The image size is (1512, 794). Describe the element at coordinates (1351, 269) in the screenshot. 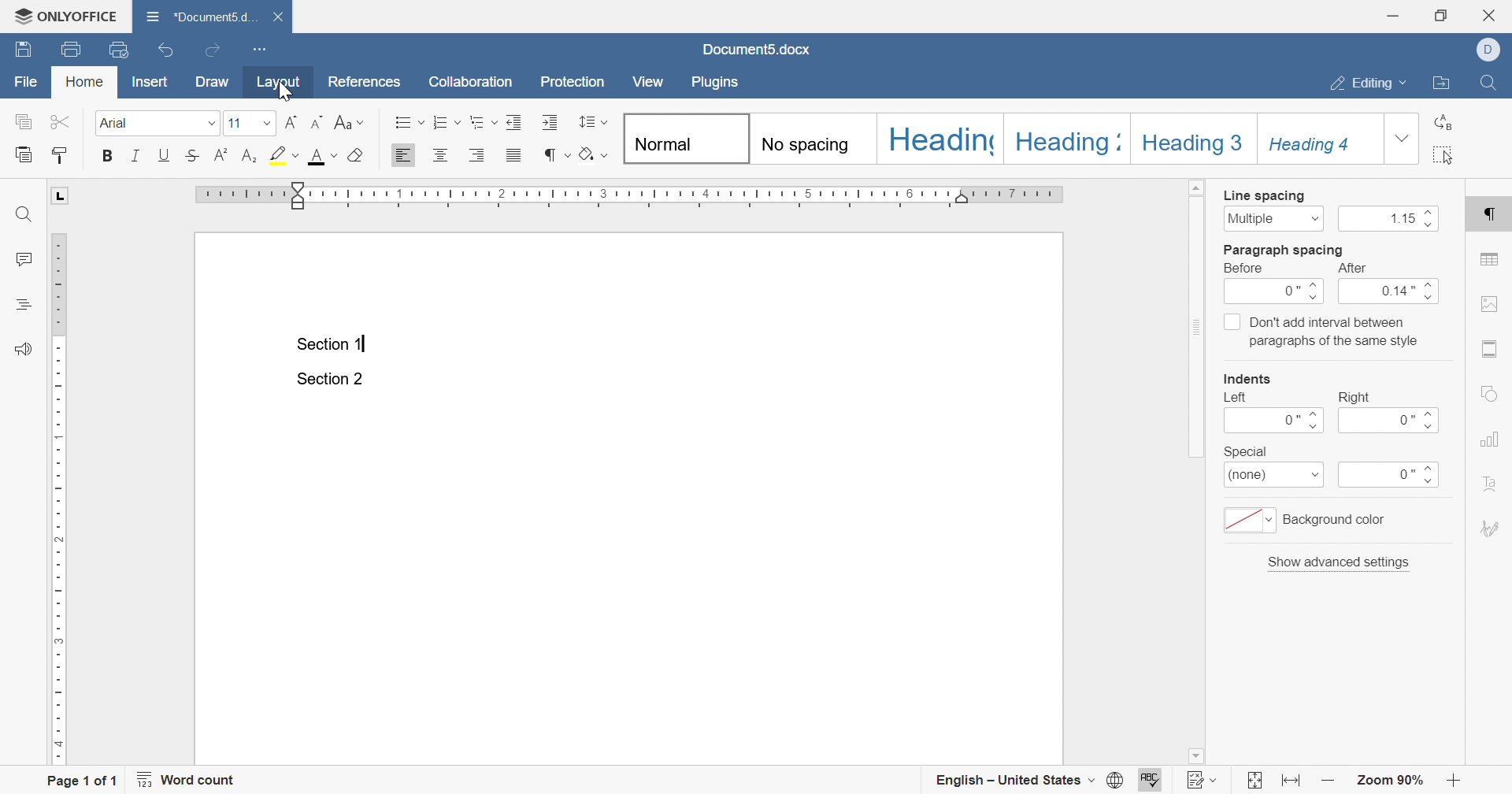

I see `after` at that location.